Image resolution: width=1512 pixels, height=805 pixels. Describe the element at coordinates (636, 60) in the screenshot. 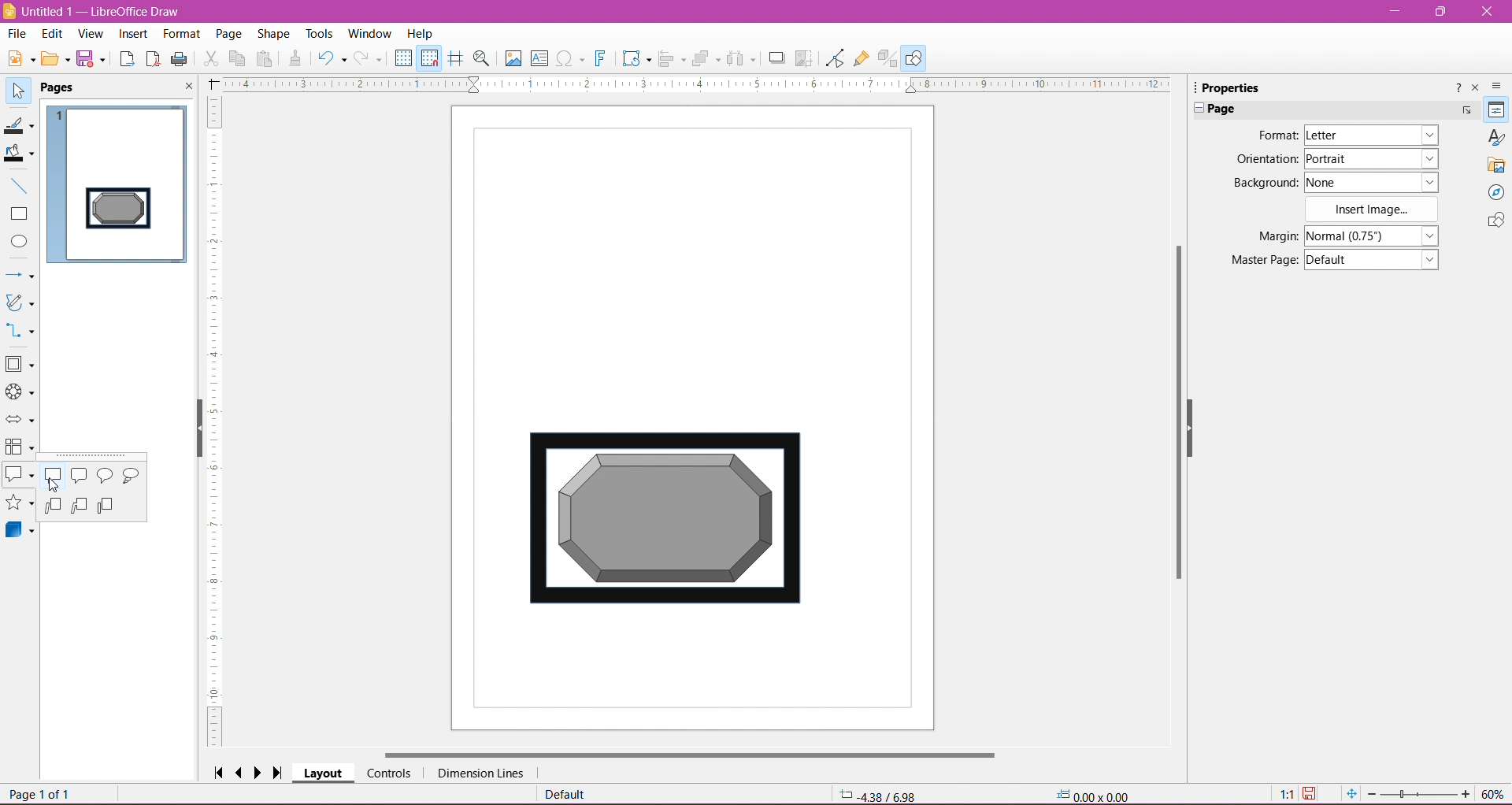

I see `Transformations` at that location.